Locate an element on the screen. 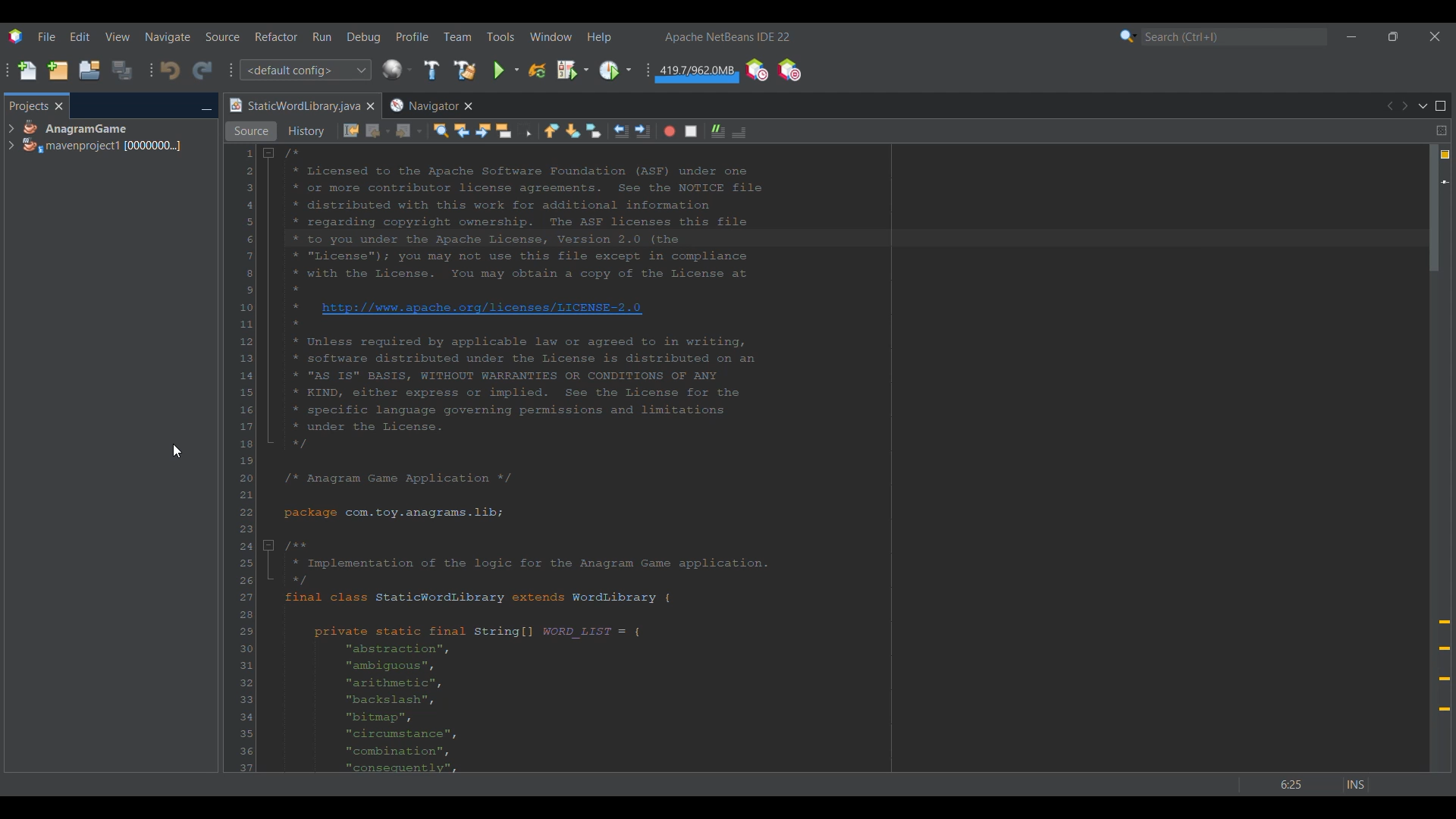 The height and width of the screenshot is (819, 1456). Close interface is located at coordinates (1435, 36).